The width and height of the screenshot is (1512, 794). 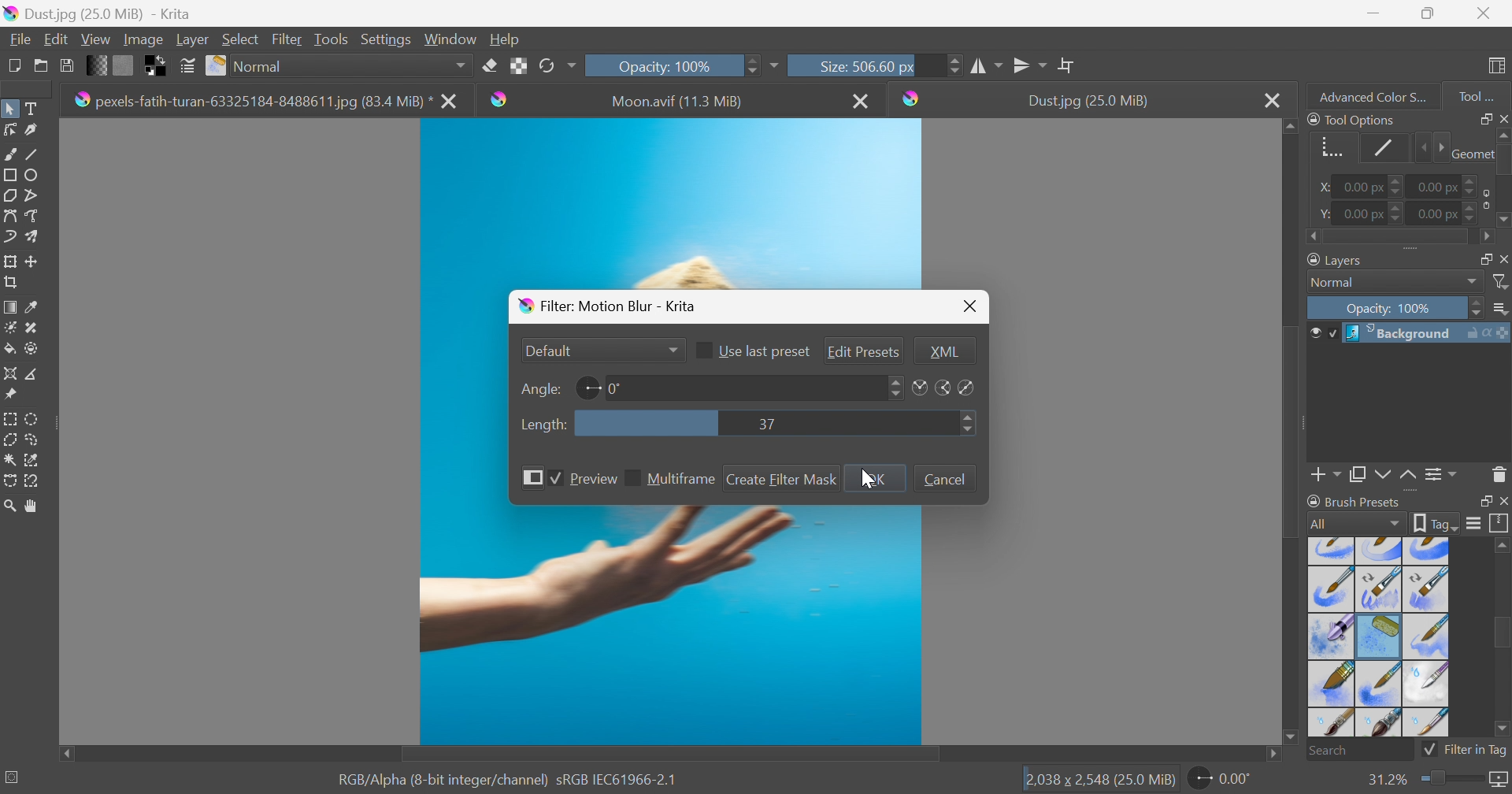 What do you see at coordinates (9, 393) in the screenshot?
I see `Reference images tool` at bounding box center [9, 393].